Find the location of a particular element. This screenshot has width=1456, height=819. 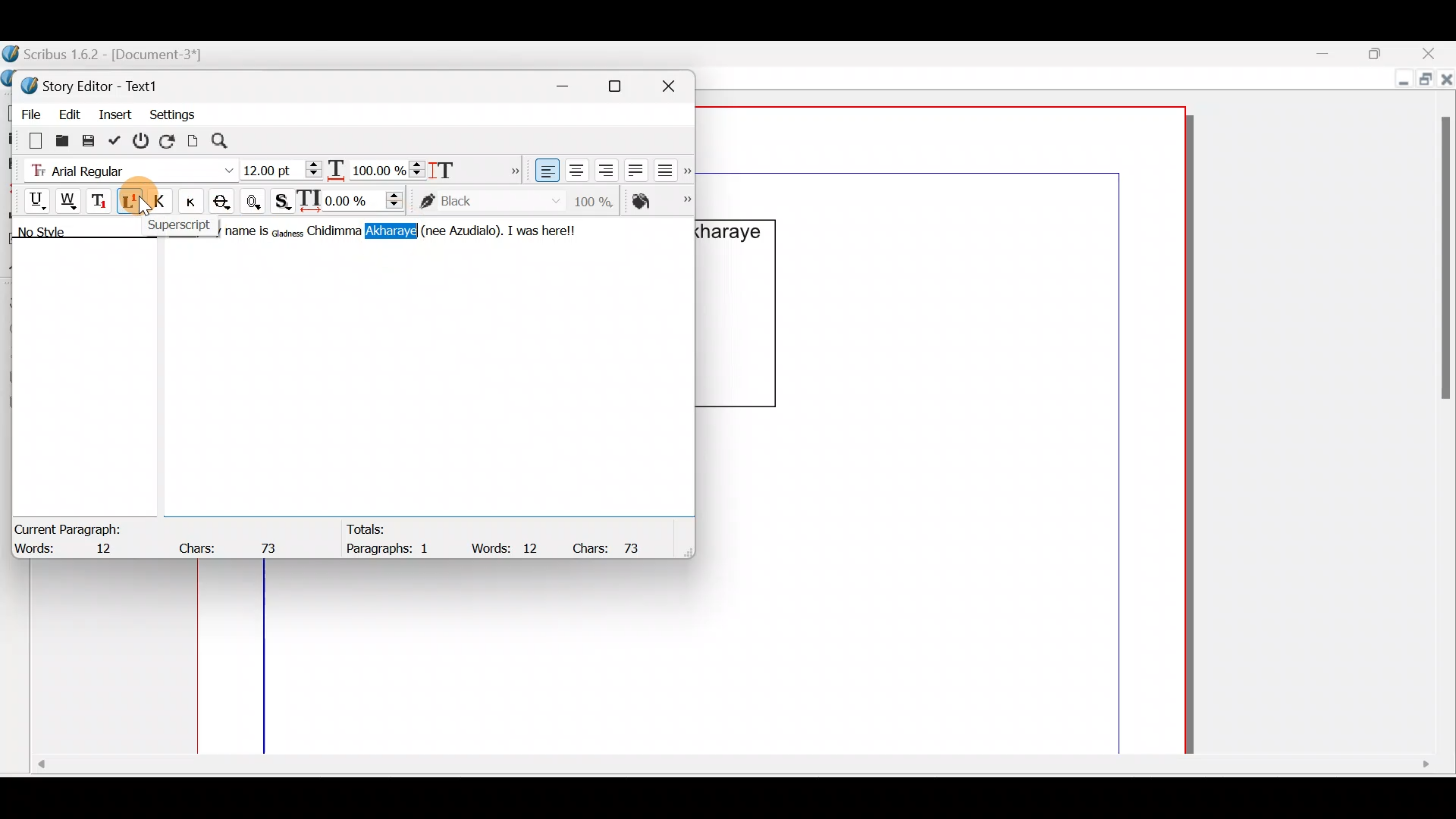

Superscript is located at coordinates (131, 203).